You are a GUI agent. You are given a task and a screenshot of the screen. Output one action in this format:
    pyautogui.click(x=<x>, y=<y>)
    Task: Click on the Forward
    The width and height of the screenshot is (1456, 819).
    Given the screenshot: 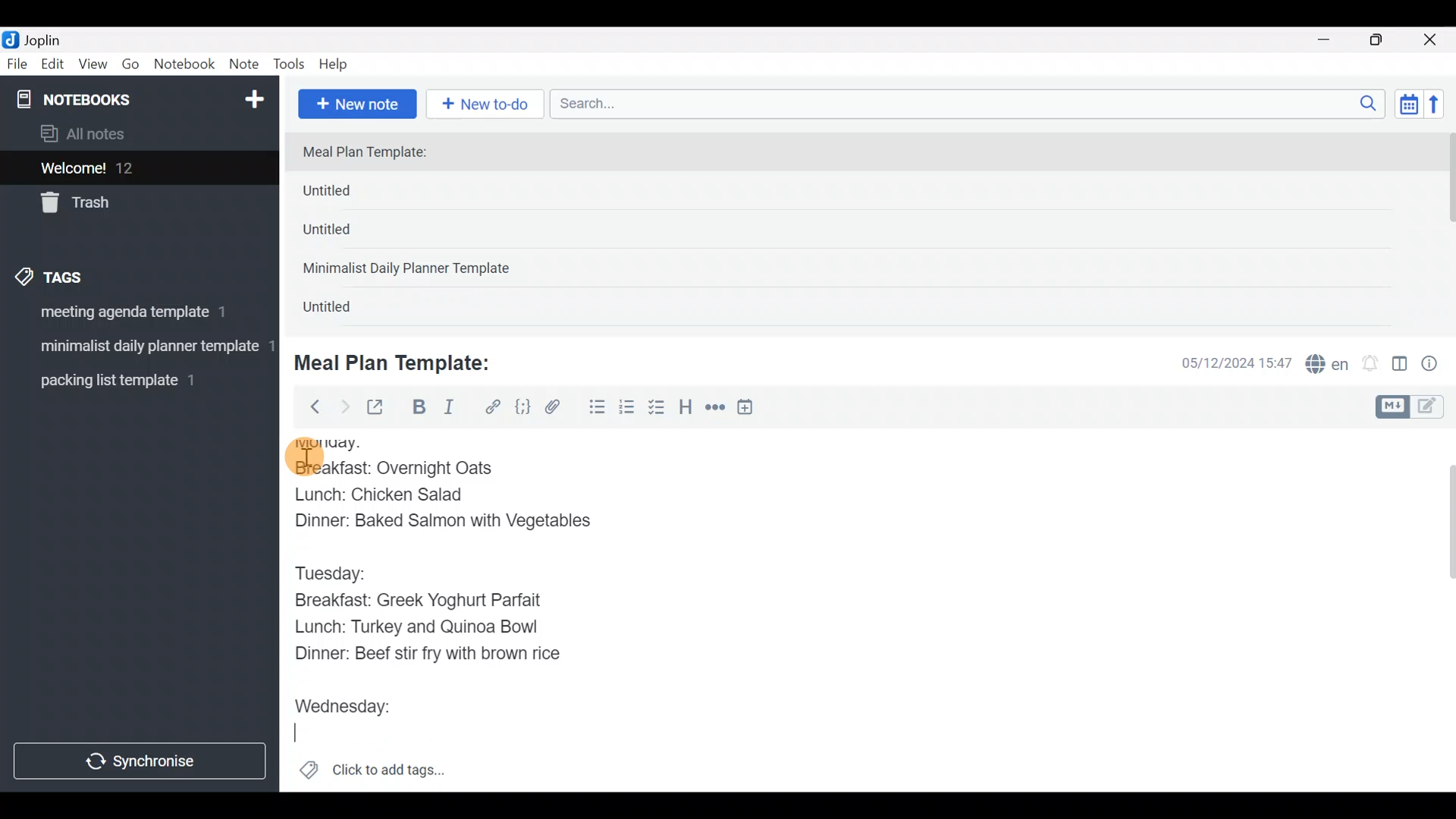 What is the action you would take?
    pyautogui.click(x=344, y=406)
    